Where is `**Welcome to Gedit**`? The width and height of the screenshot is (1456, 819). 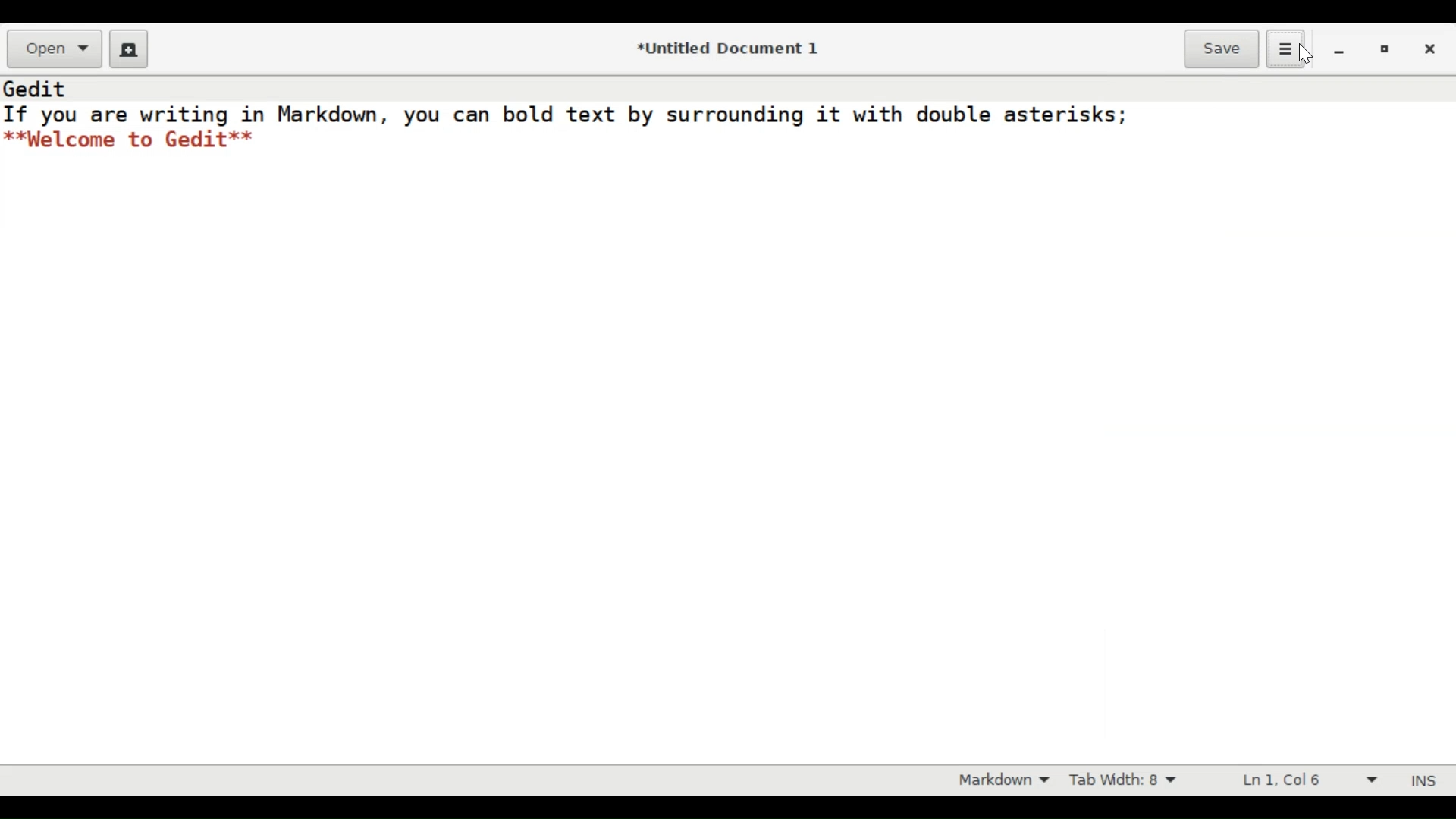
**Welcome to Gedit** is located at coordinates (130, 140).